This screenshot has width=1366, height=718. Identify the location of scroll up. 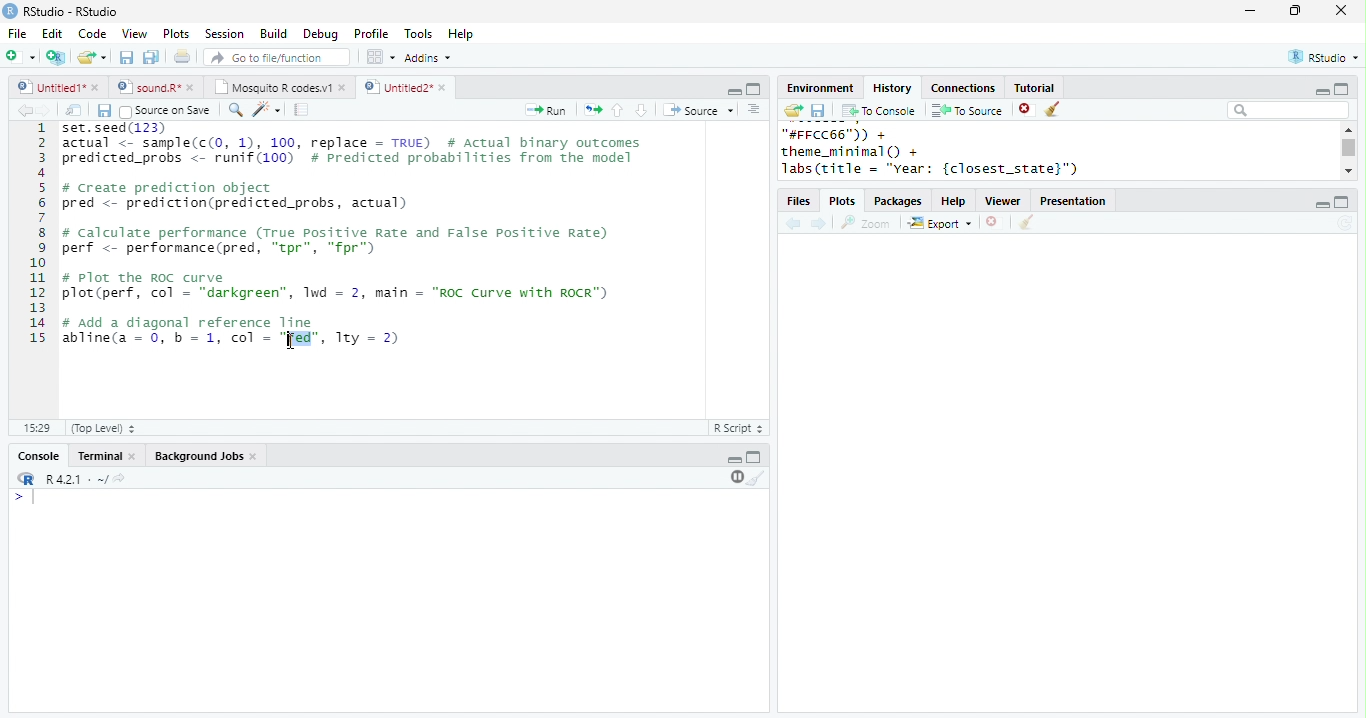
(1347, 129).